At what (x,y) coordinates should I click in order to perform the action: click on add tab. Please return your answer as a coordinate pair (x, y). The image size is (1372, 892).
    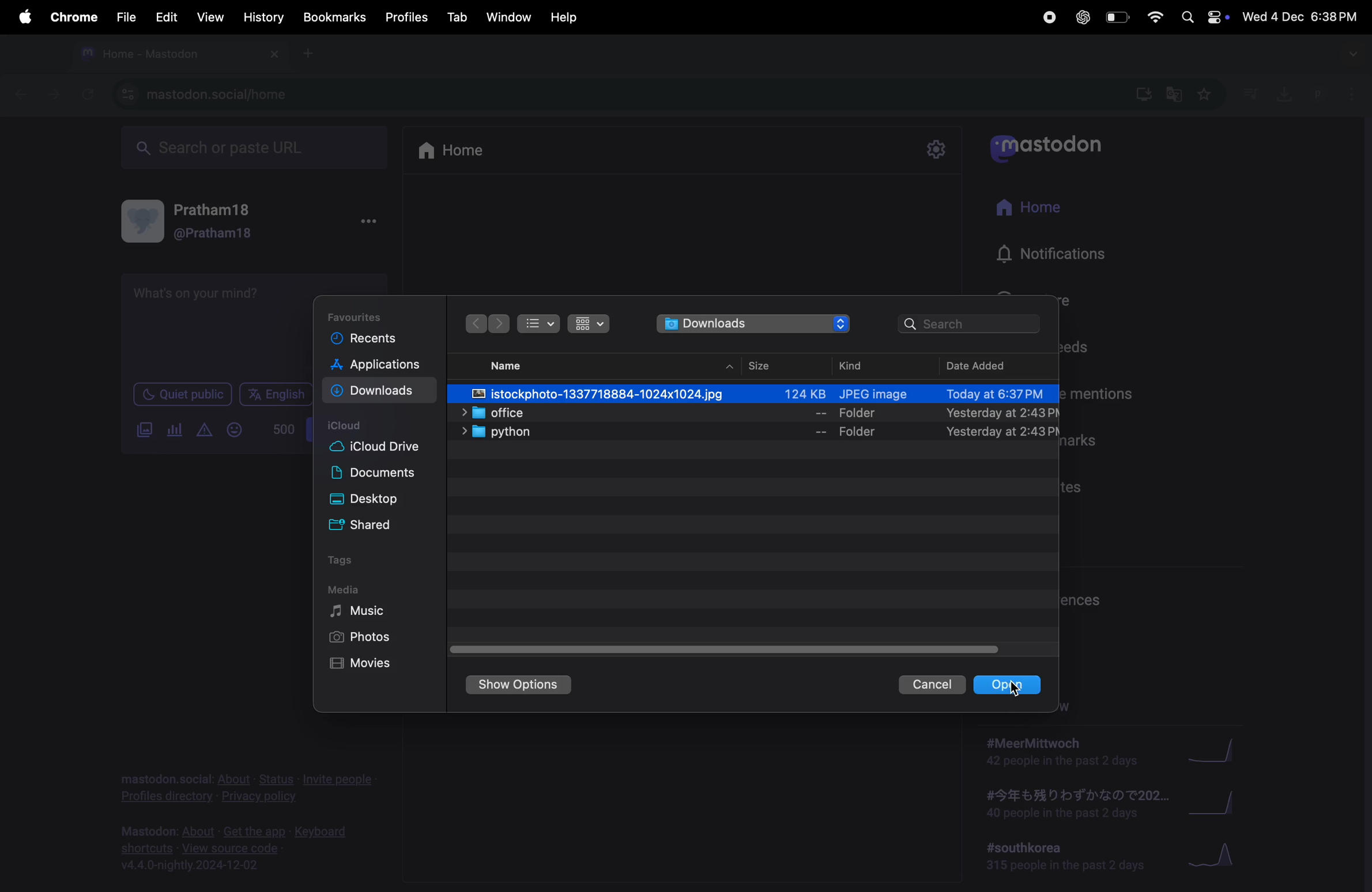
    Looking at the image, I should click on (311, 58).